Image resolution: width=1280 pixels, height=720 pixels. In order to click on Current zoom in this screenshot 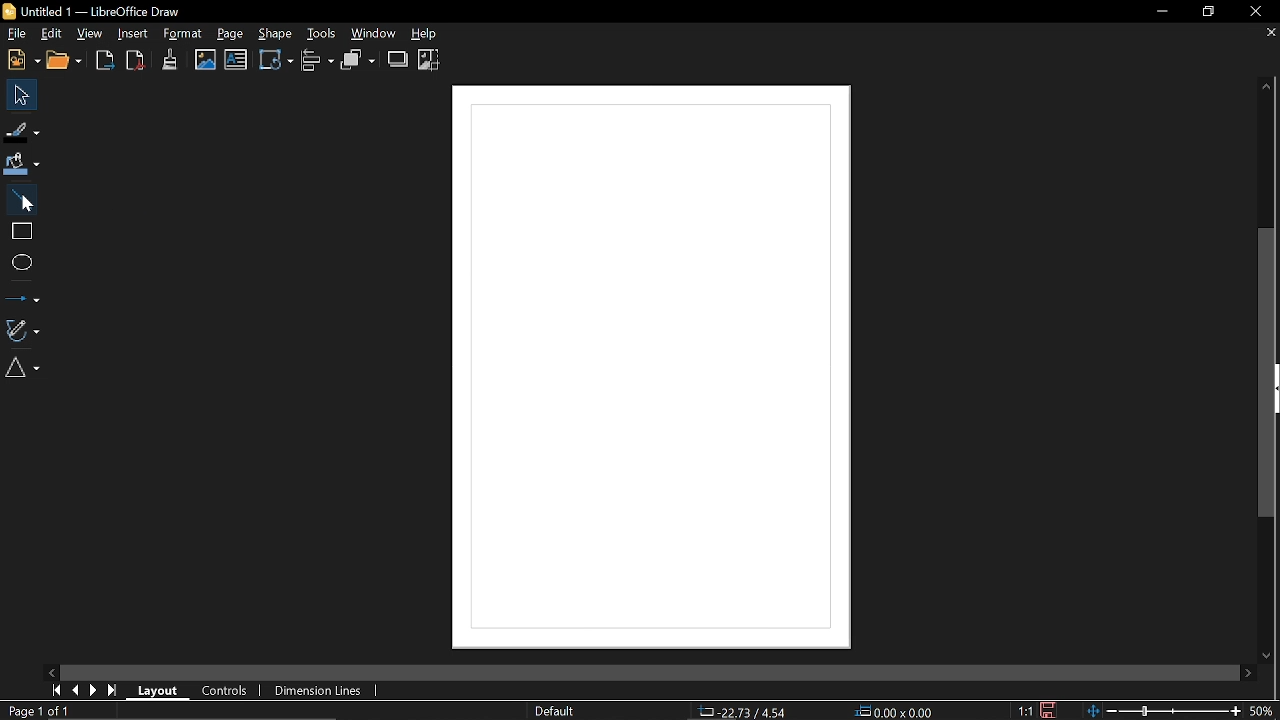, I will do `click(1264, 711)`.